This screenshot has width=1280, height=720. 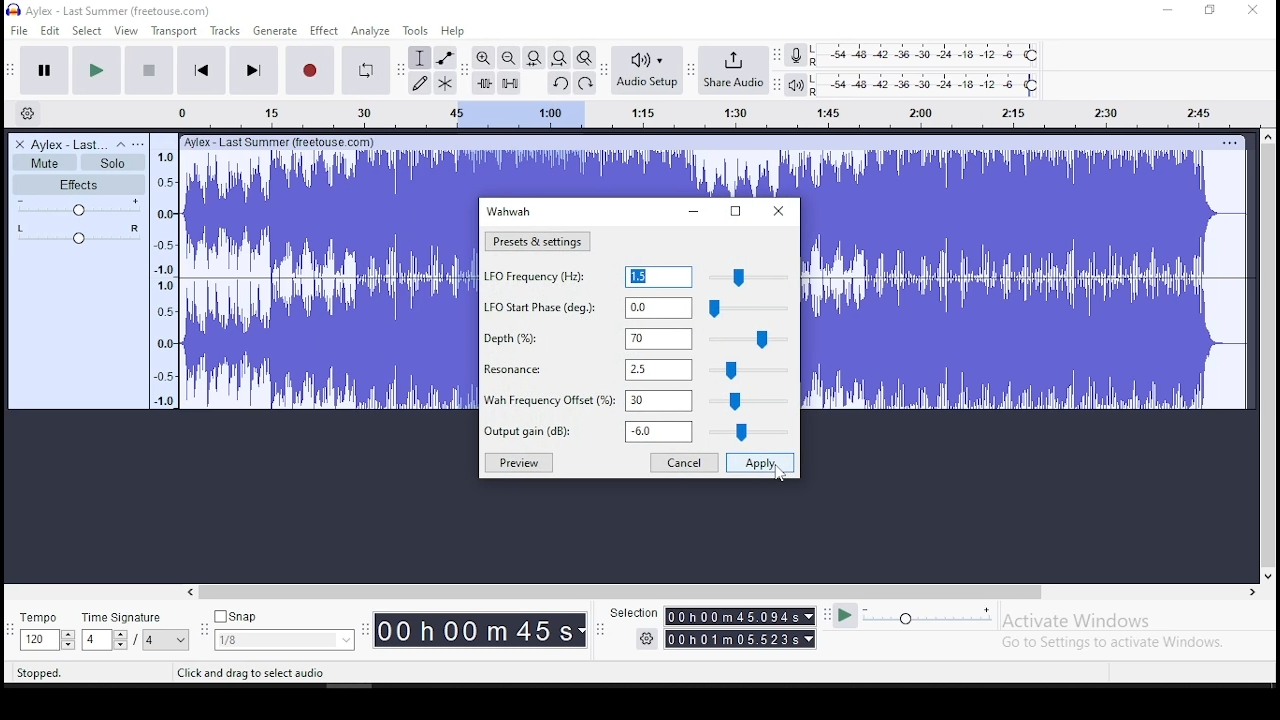 What do you see at coordinates (286, 631) in the screenshot?
I see `snap` at bounding box center [286, 631].